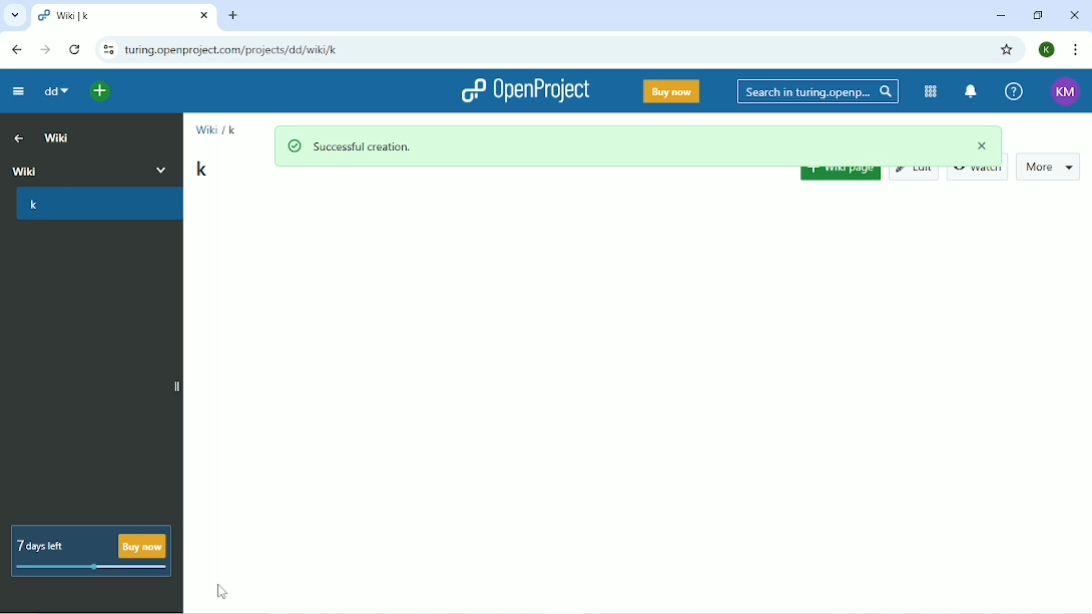 Image resolution: width=1092 pixels, height=614 pixels. I want to click on Wiki, so click(205, 135).